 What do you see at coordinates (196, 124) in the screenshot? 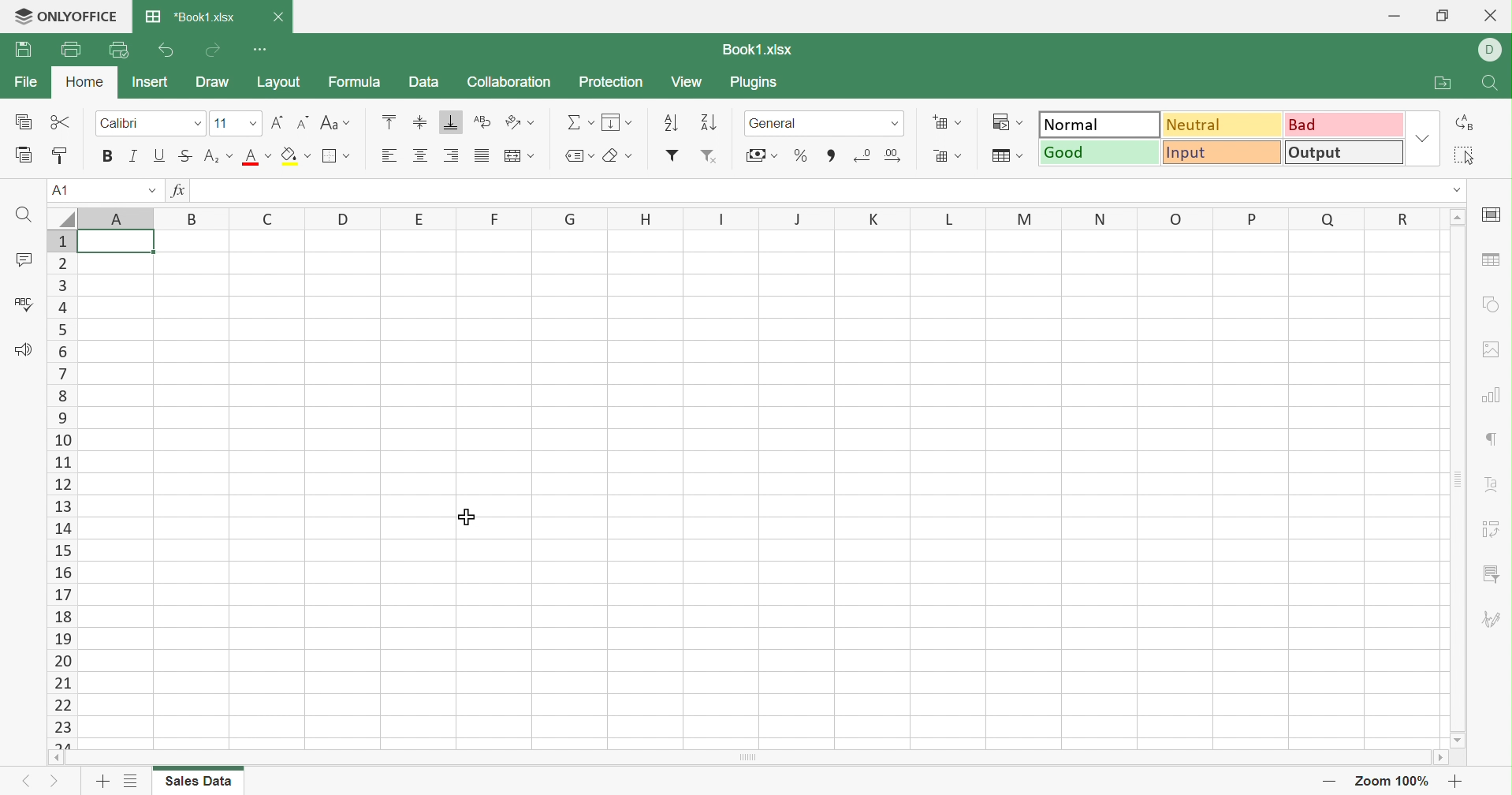
I see `Fonts drop down` at bounding box center [196, 124].